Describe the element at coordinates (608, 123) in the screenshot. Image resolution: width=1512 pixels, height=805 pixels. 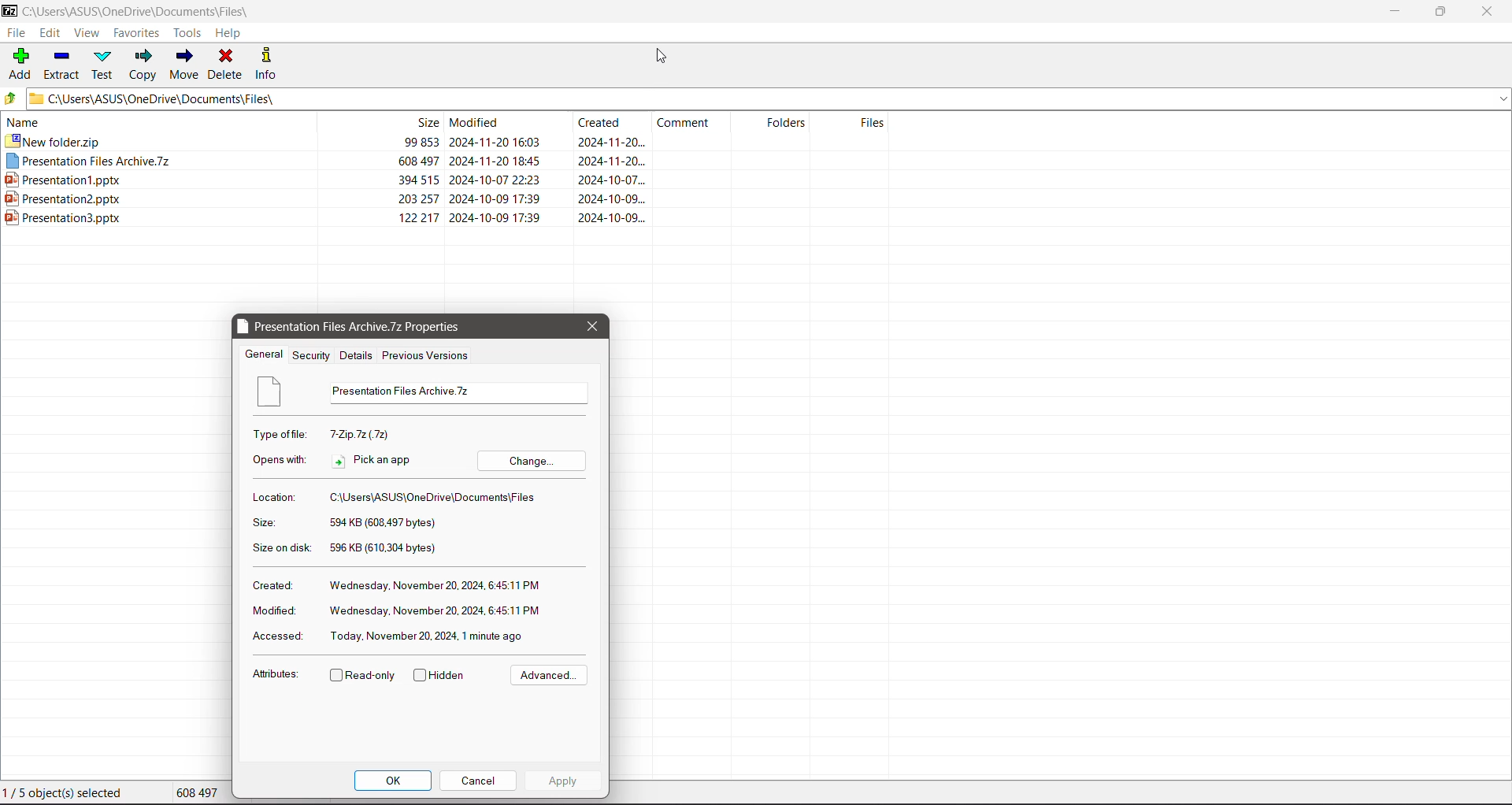
I see `Created` at that location.